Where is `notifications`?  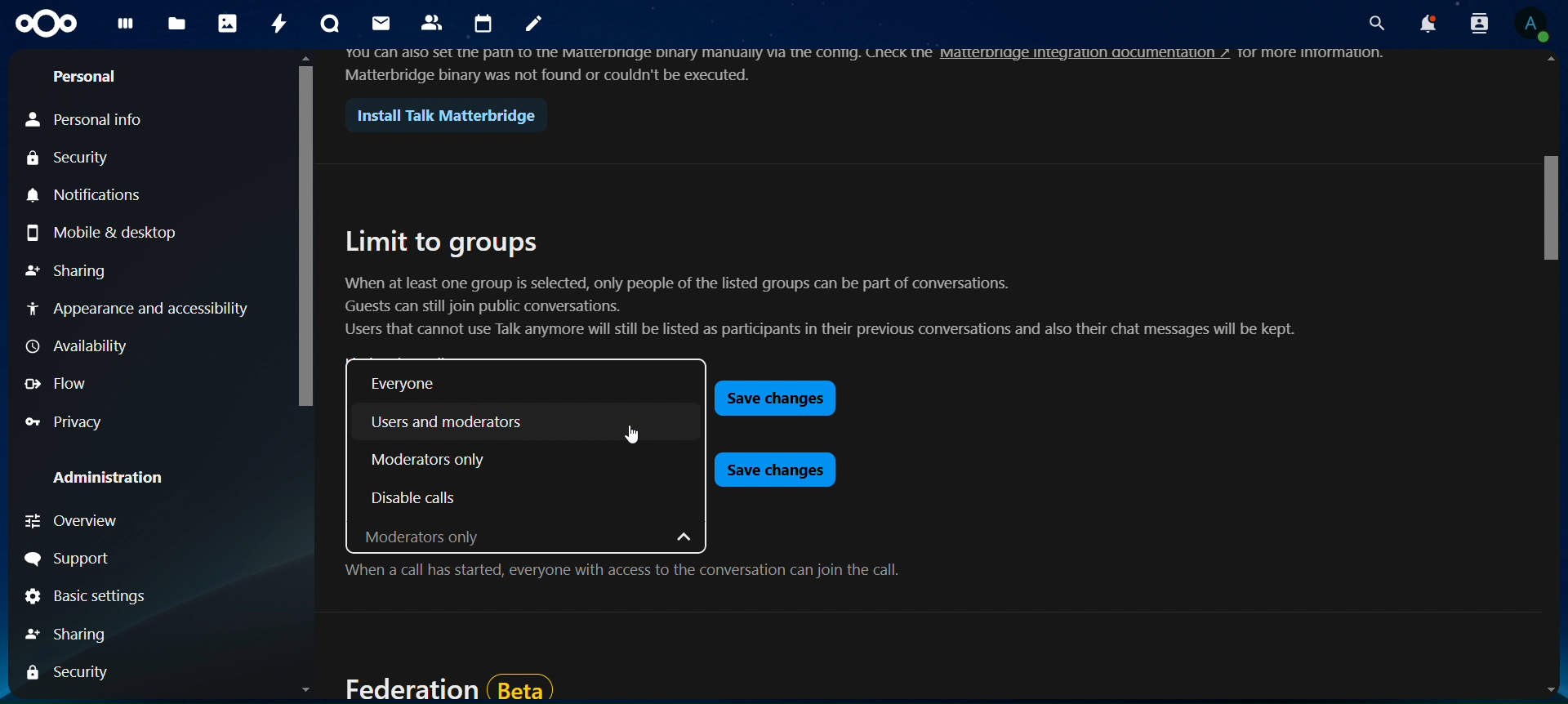
notifications is located at coordinates (1423, 25).